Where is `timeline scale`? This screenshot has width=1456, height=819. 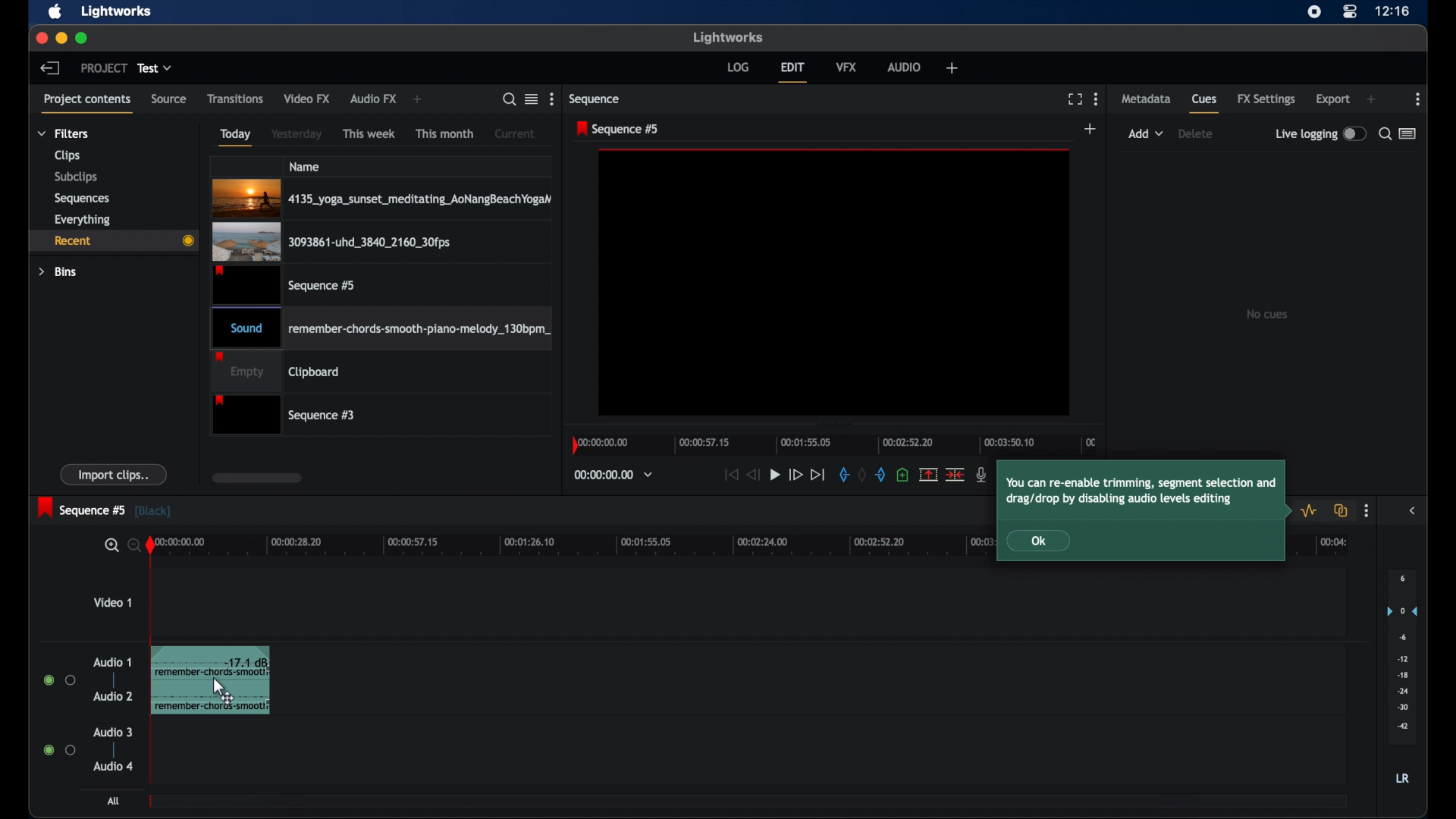
timeline scale is located at coordinates (570, 547).